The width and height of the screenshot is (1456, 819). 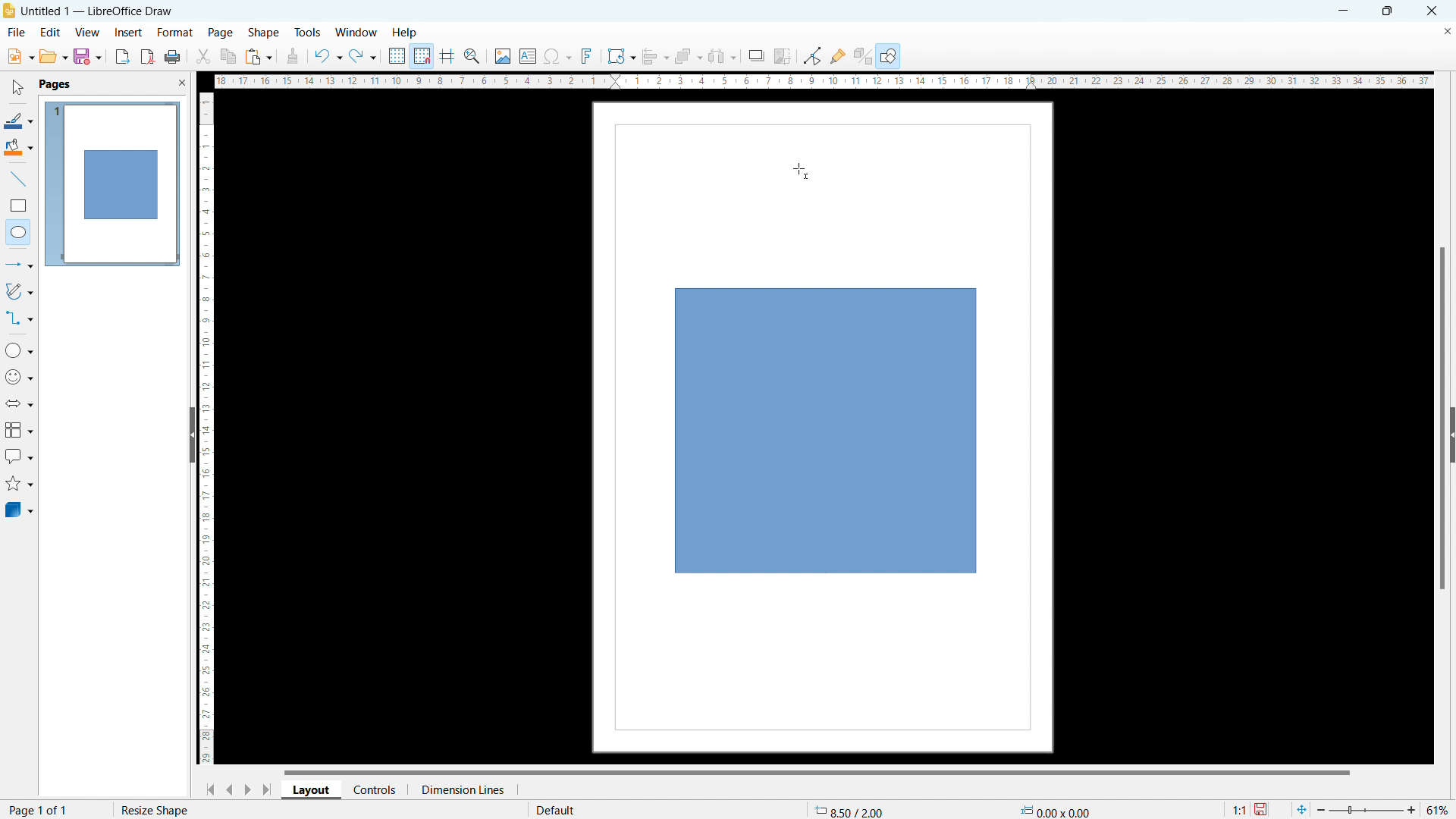 I want to click on dimension of selection, so click(x=1056, y=808).